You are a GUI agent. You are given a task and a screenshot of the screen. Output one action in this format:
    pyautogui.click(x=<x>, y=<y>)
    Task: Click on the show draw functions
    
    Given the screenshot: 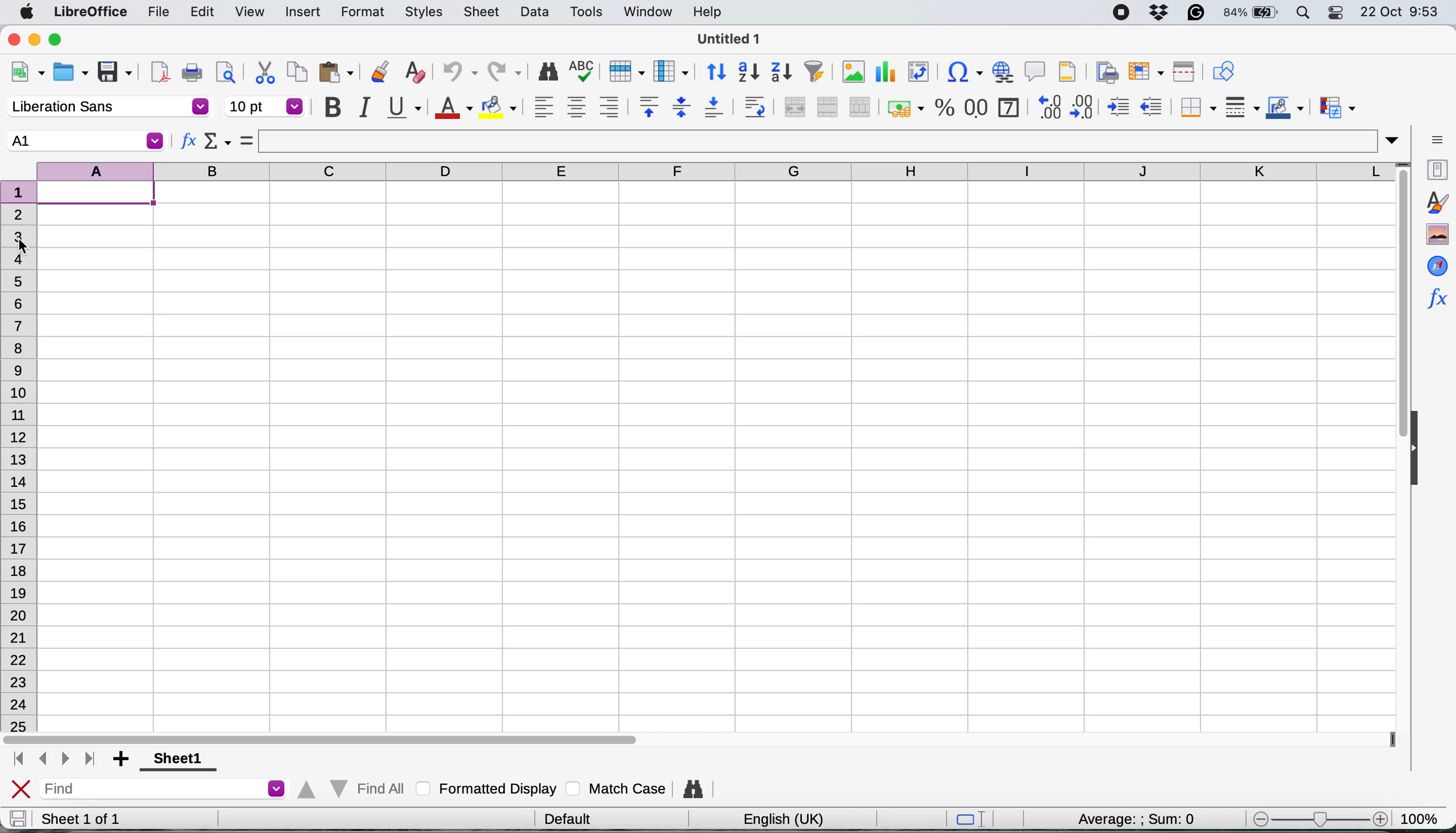 What is the action you would take?
    pyautogui.click(x=1223, y=70)
    